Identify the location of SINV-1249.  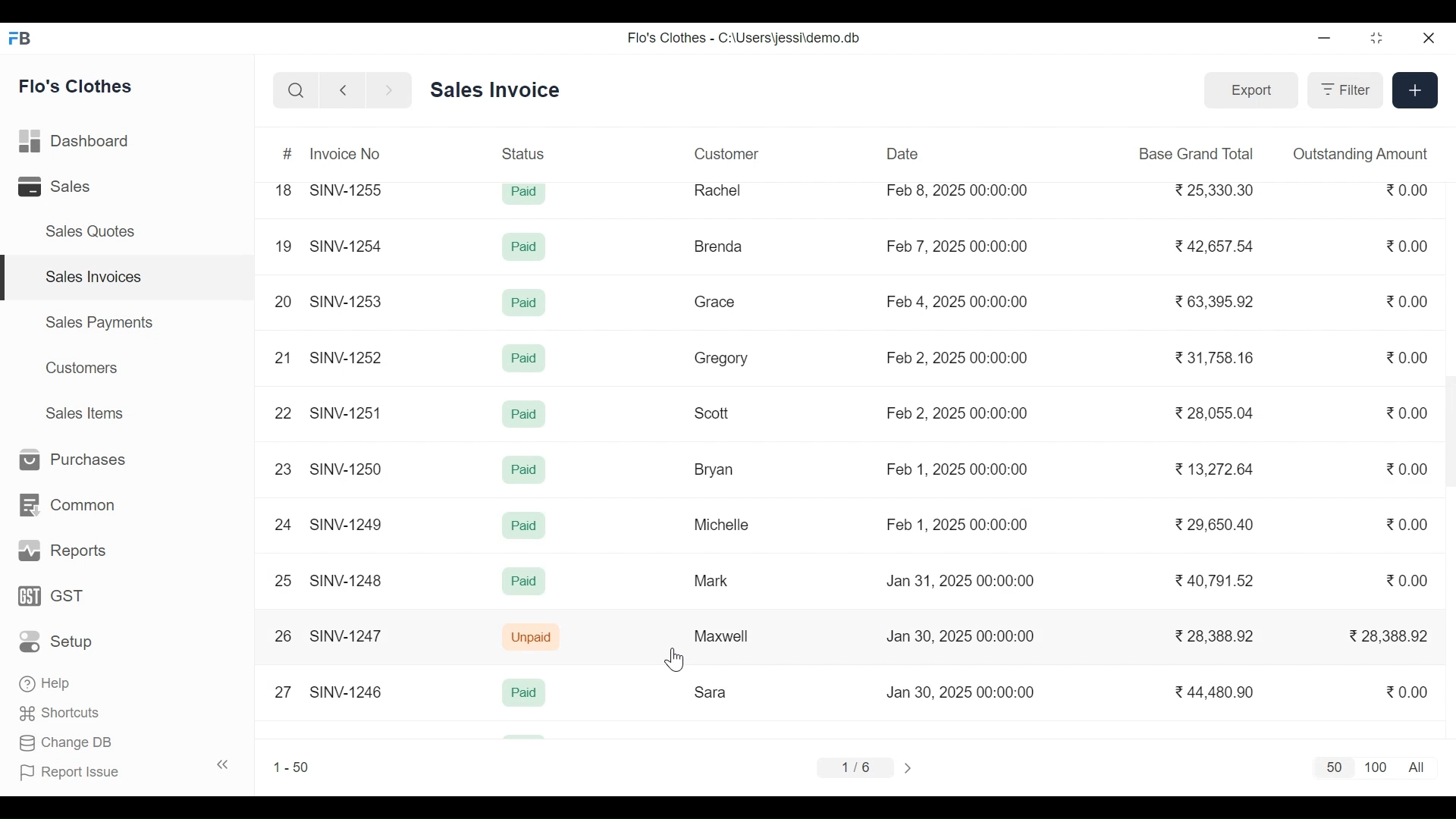
(347, 524).